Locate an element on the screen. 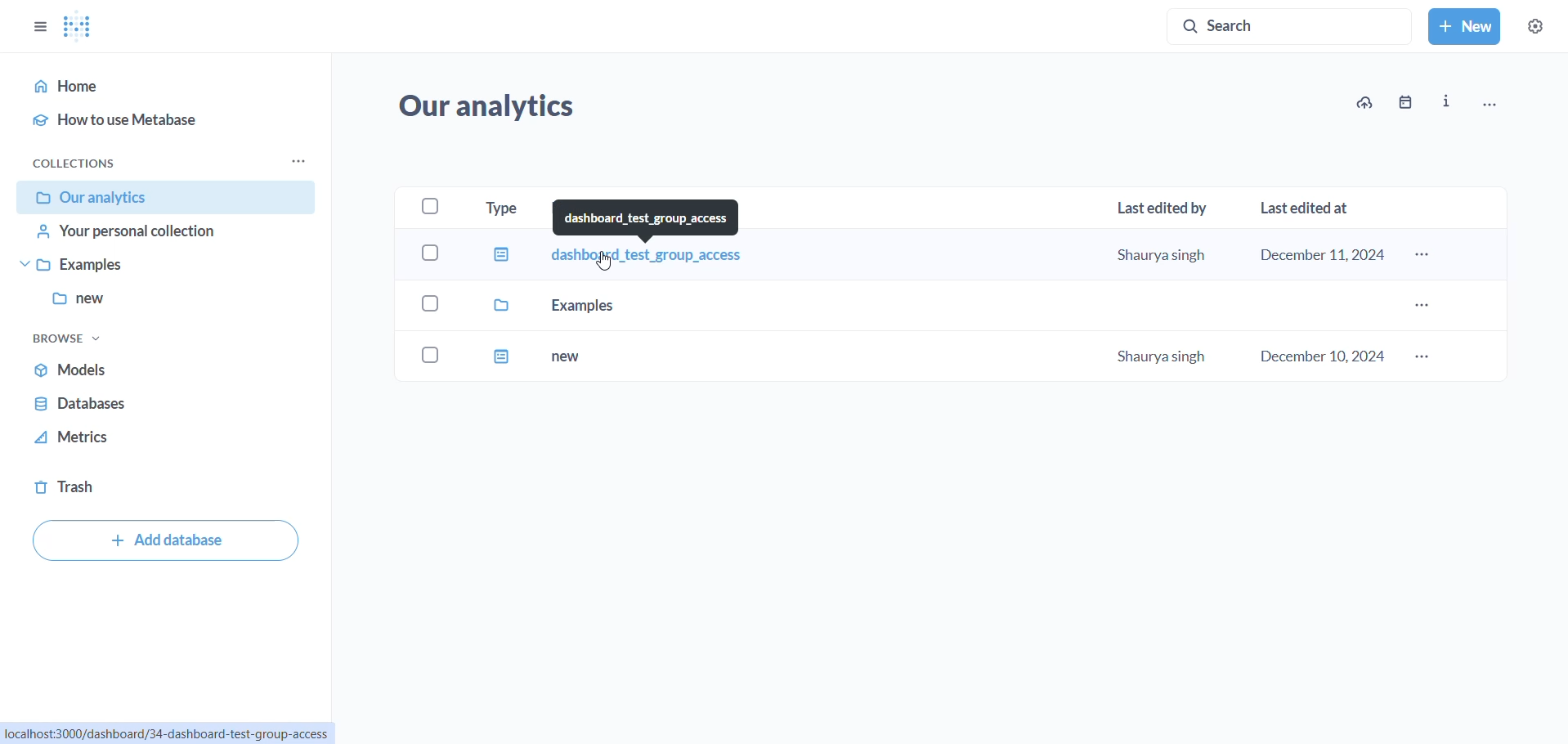  collection options is located at coordinates (309, 163).